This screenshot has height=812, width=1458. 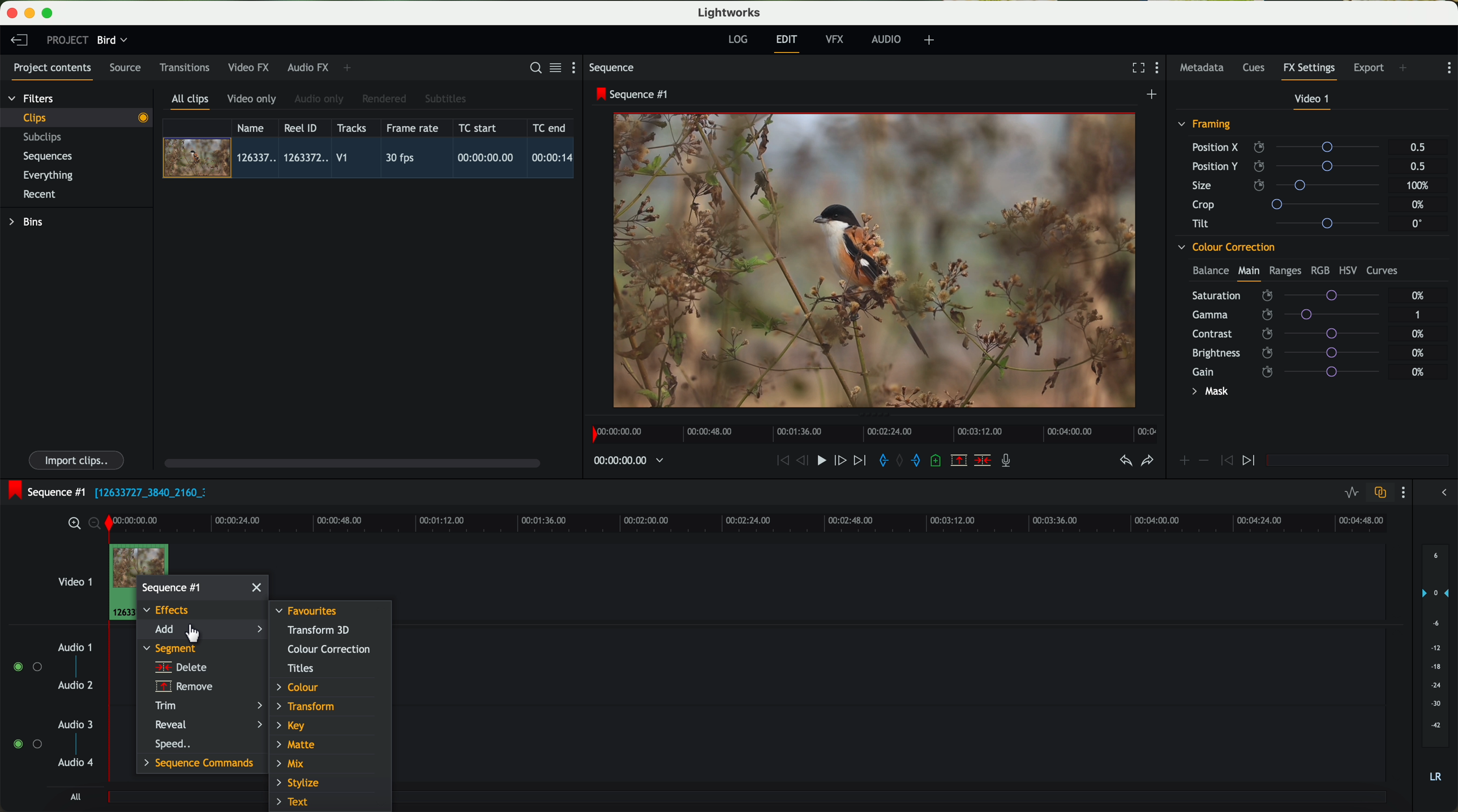 What do you see at coordinates (1382, 271) in the screenshot?
I see `curves` at bounding box center [1382, 271].